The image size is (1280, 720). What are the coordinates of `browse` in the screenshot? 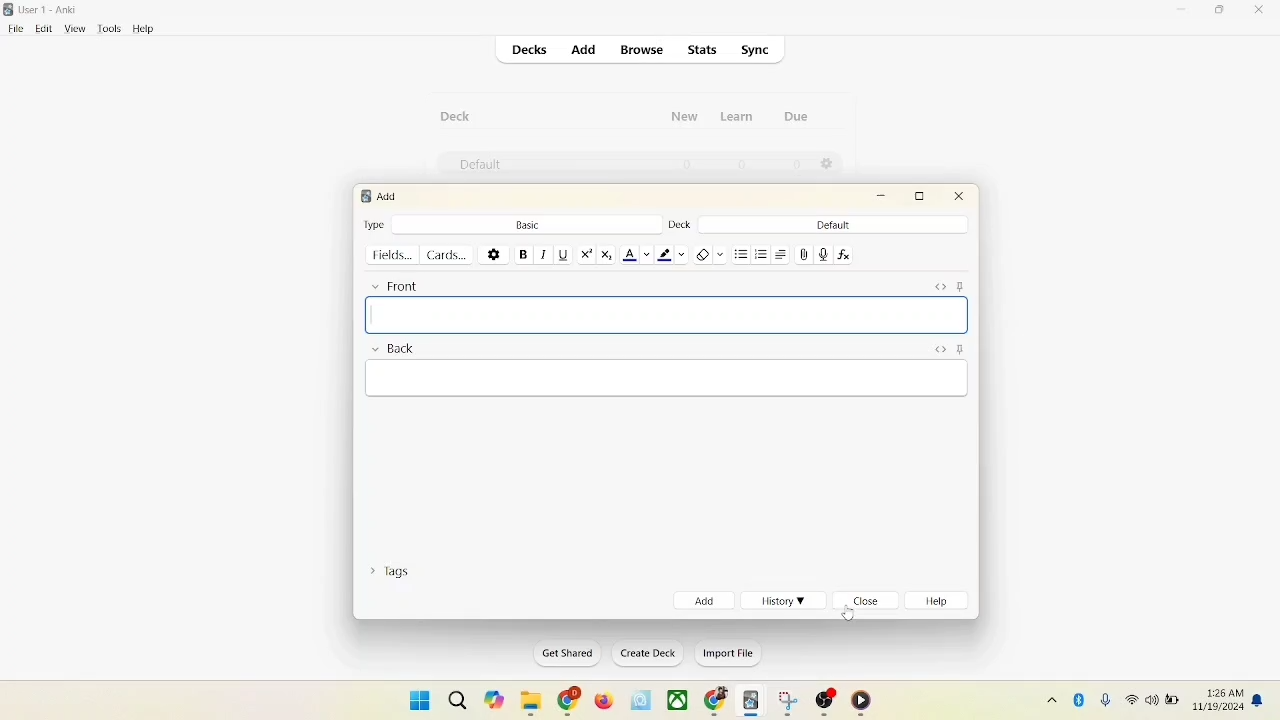 It's located at (644, 51).